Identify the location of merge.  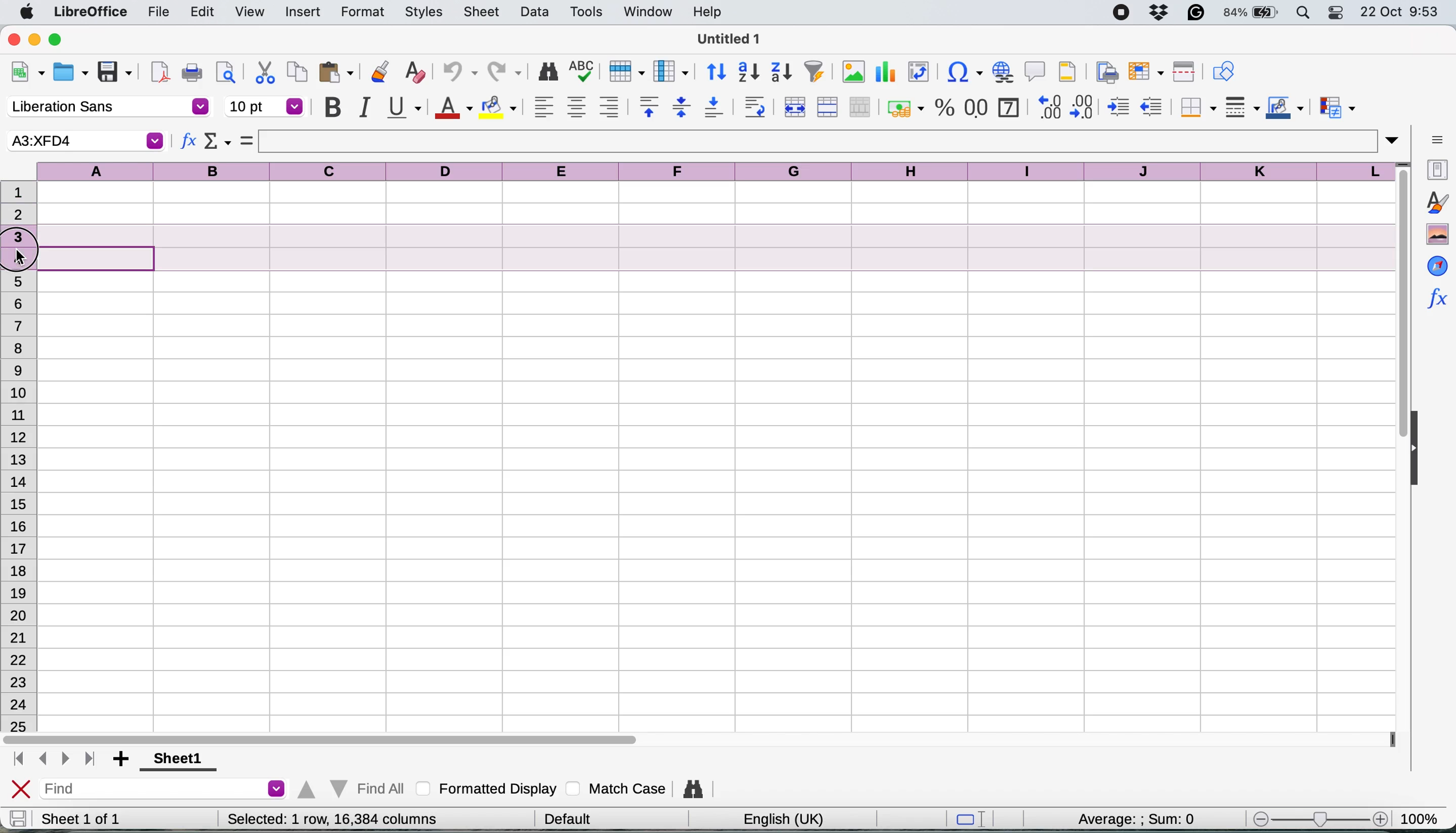
(826, 108).